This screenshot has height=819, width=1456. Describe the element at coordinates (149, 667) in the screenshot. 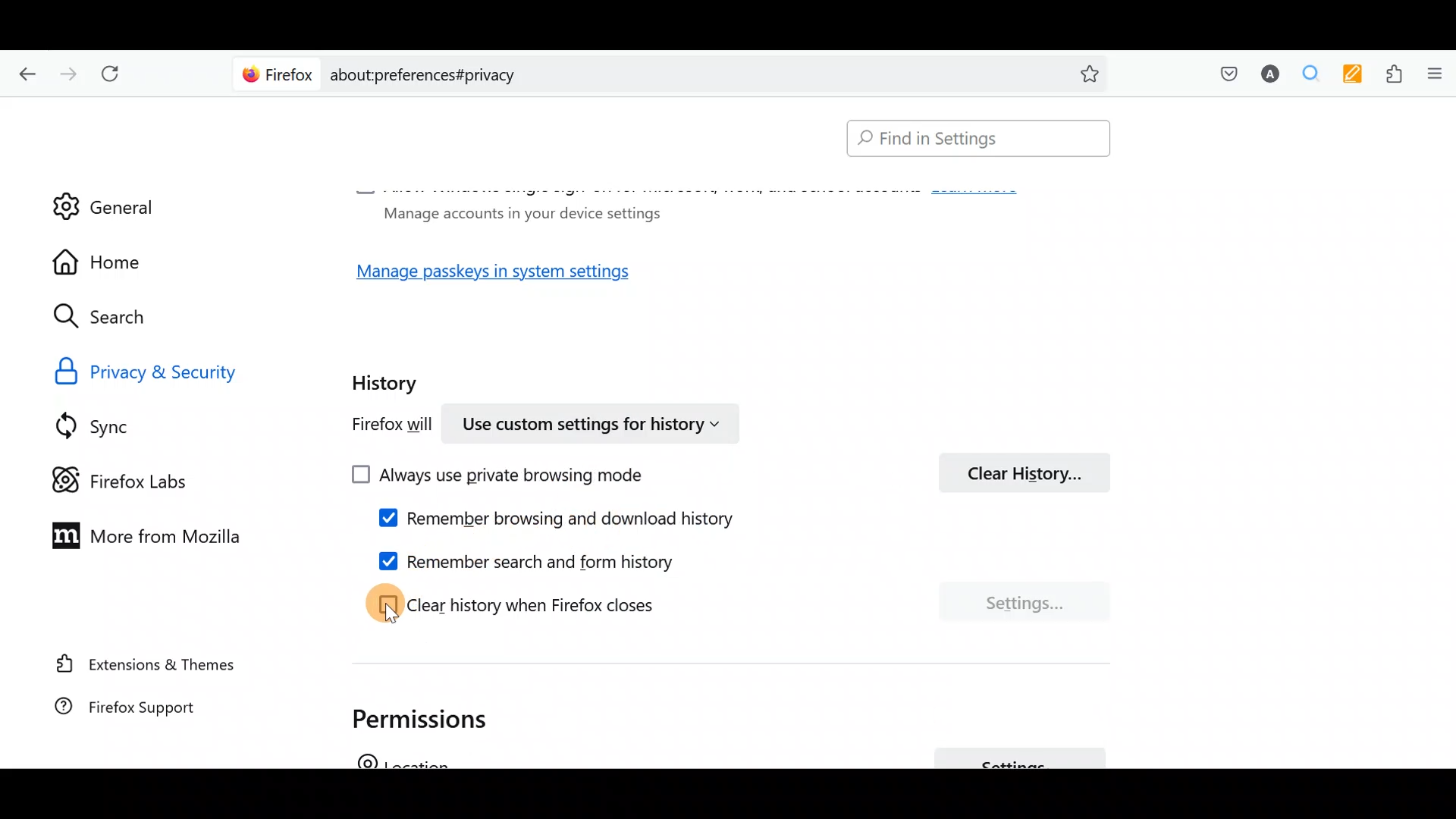

I see `Extension & themes` at that location.